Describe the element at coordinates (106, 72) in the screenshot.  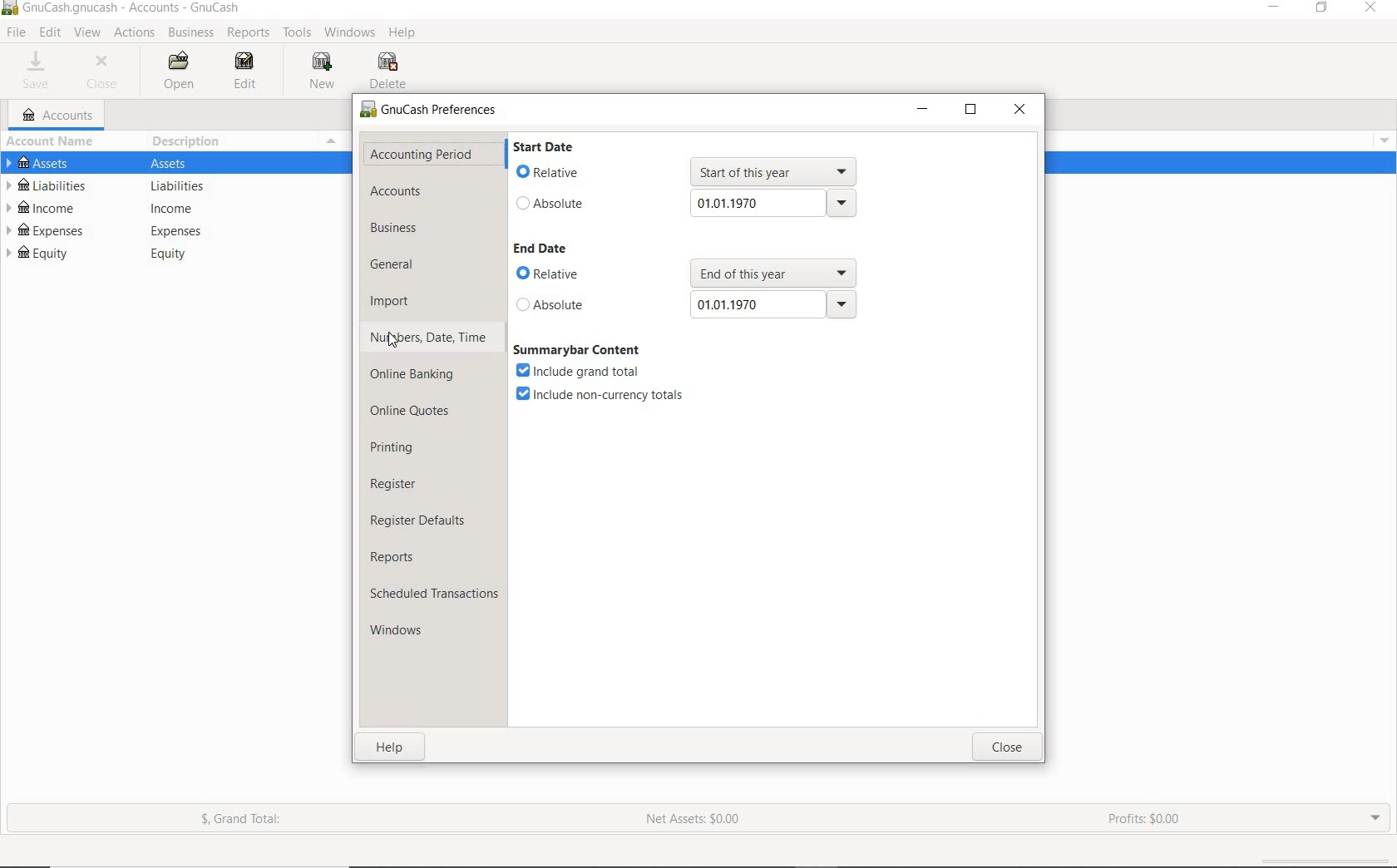
I see `CLOSE` at that location.